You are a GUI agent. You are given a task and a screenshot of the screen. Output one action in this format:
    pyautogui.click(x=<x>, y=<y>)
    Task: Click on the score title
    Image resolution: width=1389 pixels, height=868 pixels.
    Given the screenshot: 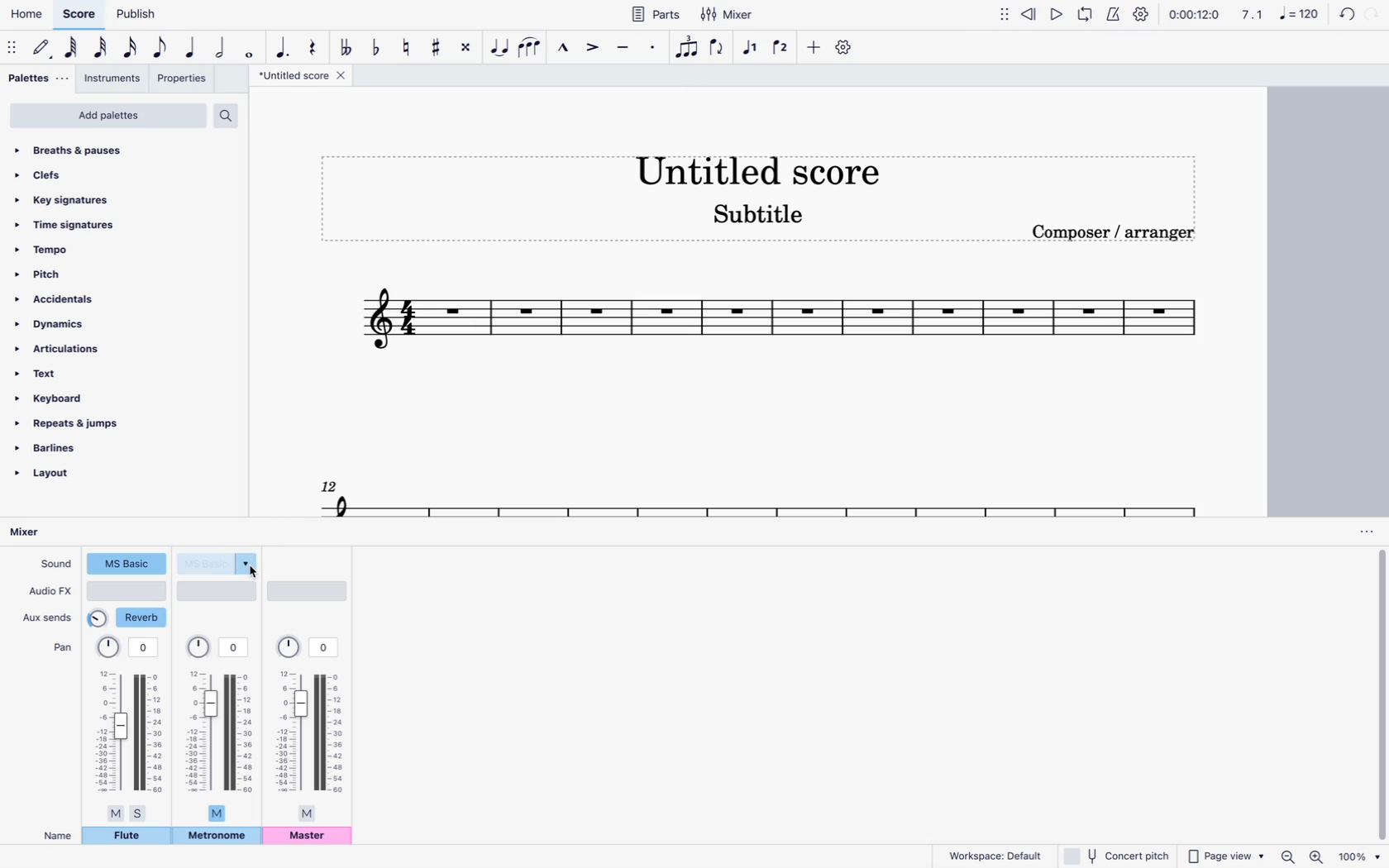 What is the action you would take?
    pyautogui.click(x=301, y=77)
    